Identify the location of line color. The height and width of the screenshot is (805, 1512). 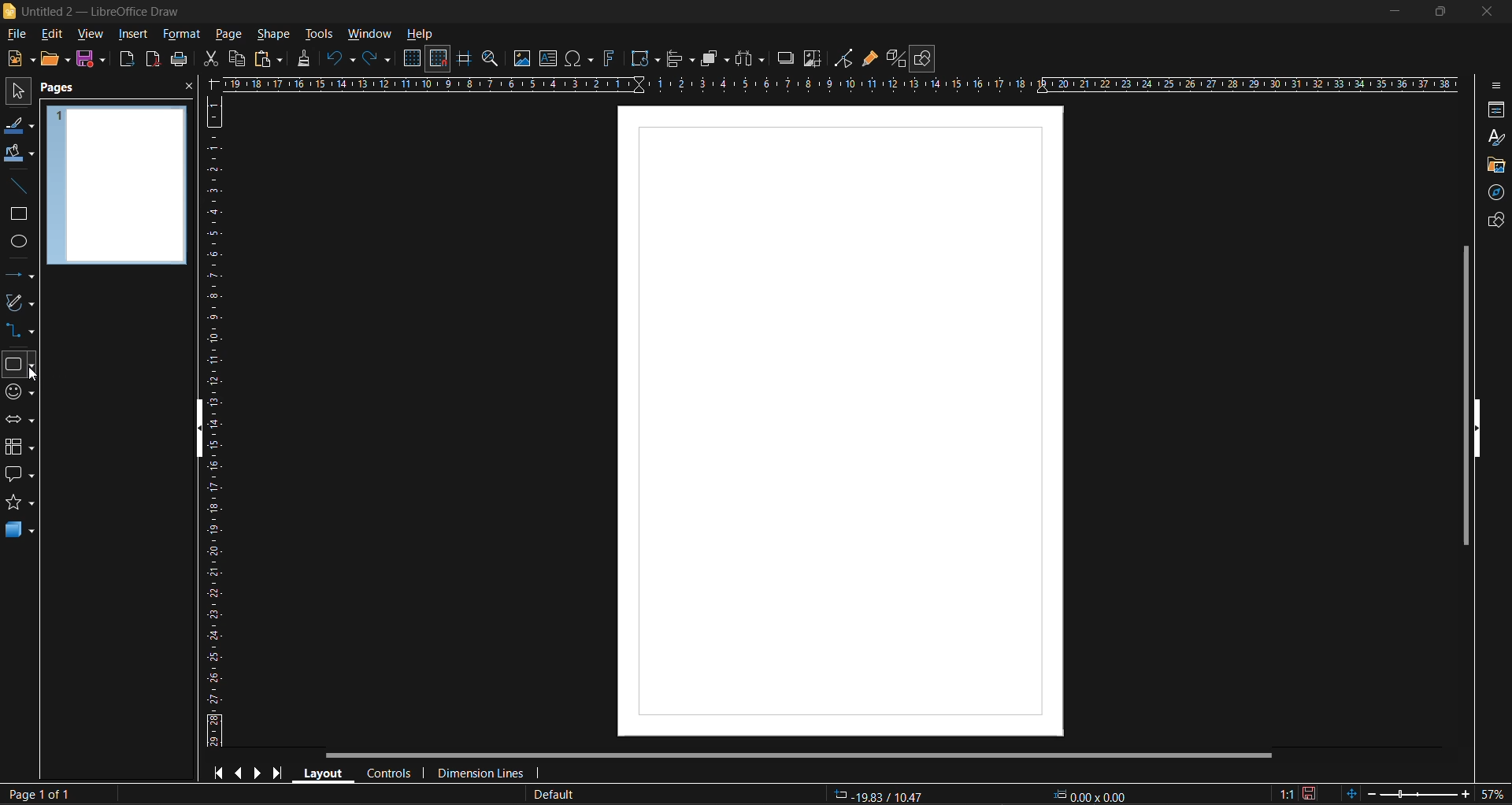
(20, 128).